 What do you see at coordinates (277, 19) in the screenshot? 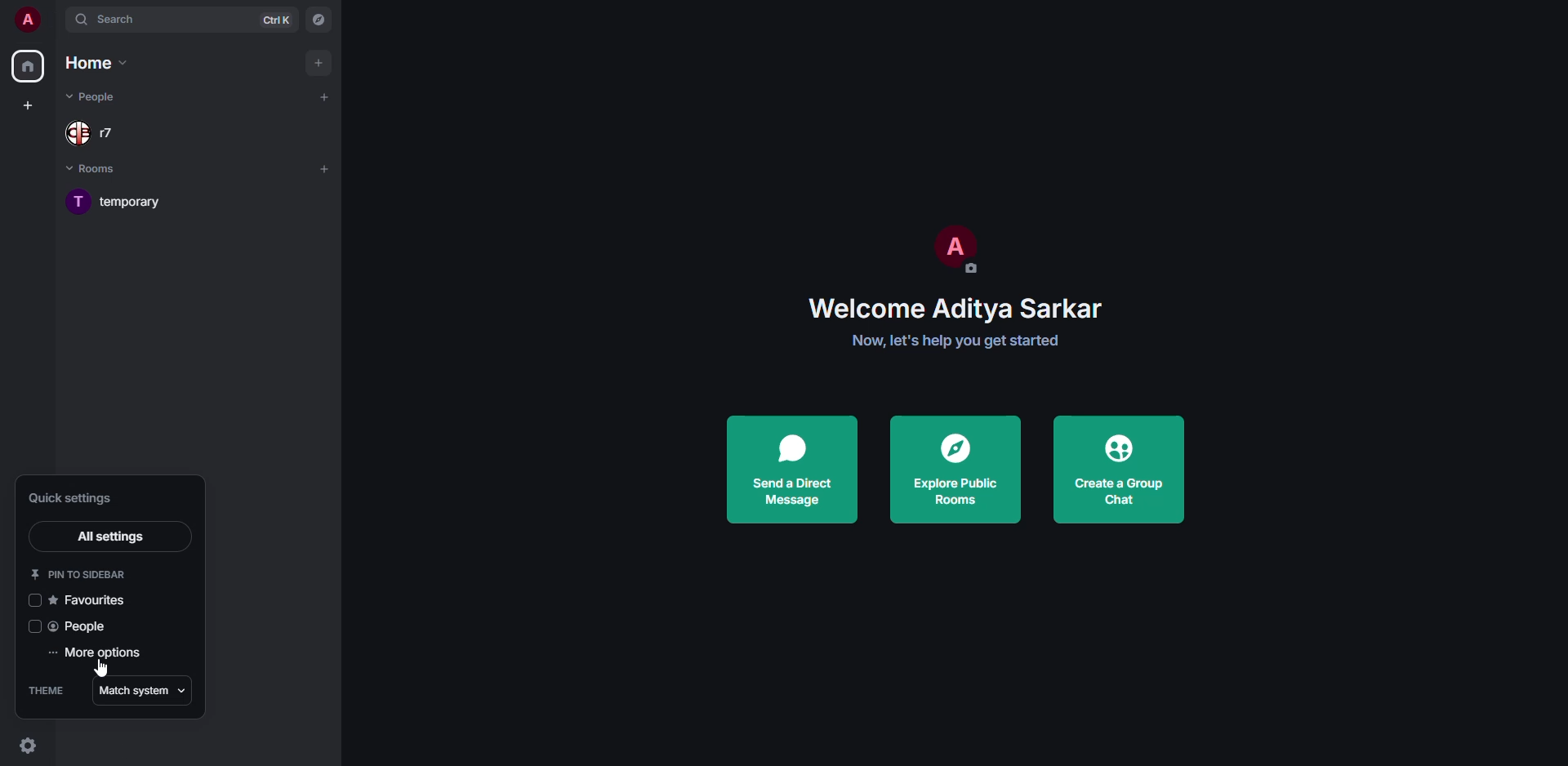
I see `ctrl K` at bounding box center [277, 19].